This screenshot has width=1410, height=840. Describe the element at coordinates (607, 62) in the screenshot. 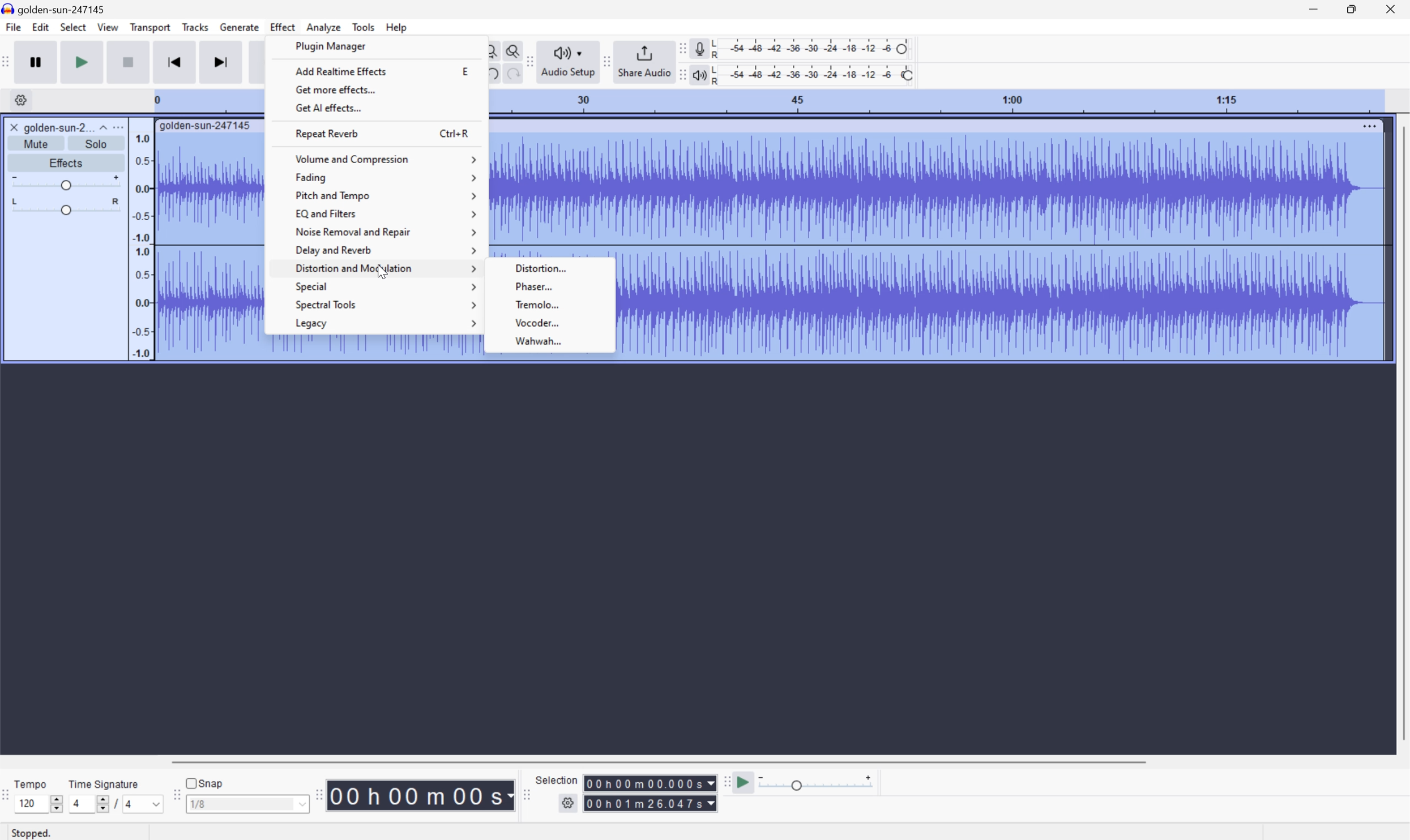

I see `Audacity share audio toolbar` at that location.